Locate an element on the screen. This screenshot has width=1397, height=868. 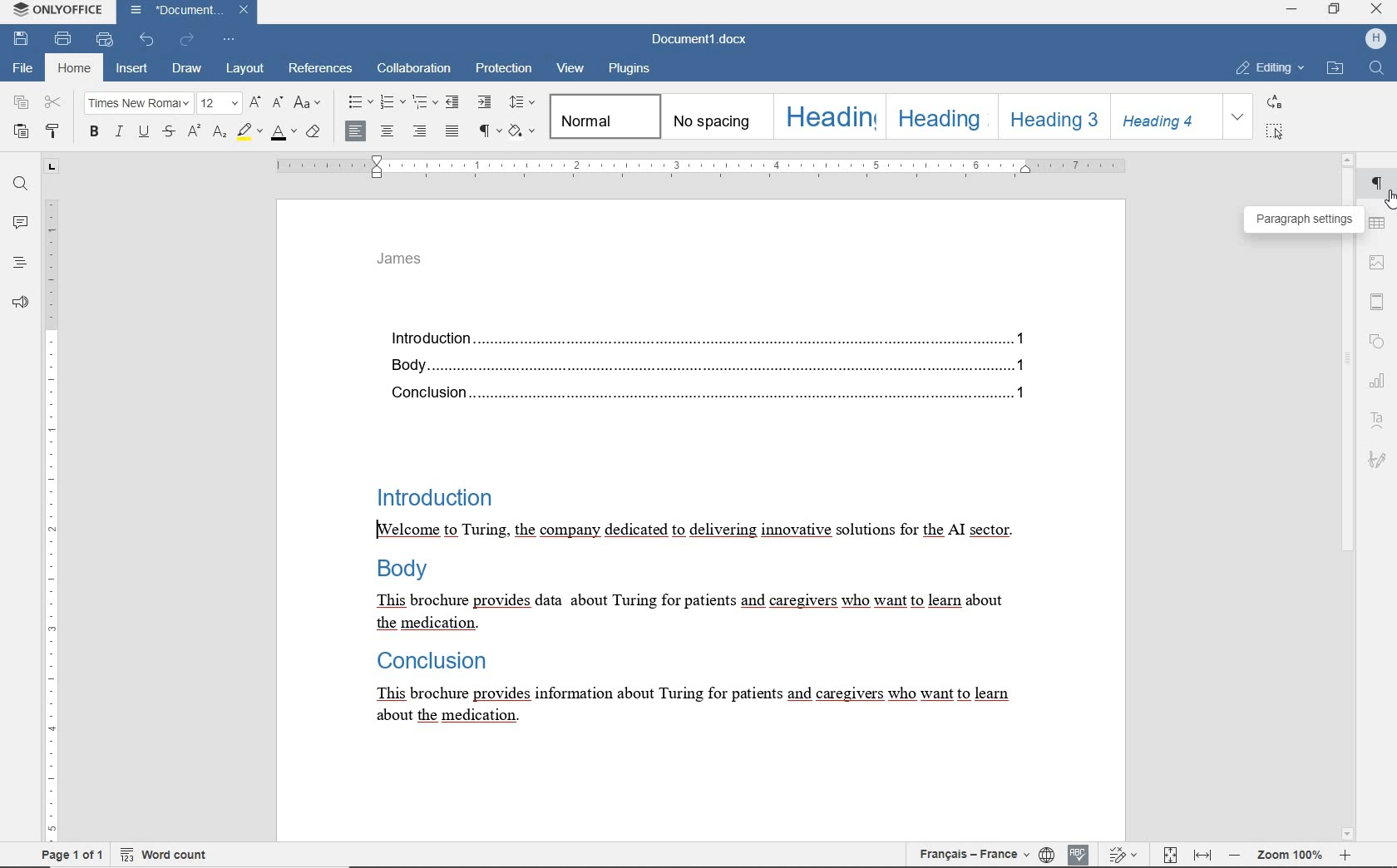
select all is located at coordinates (1276, 133).